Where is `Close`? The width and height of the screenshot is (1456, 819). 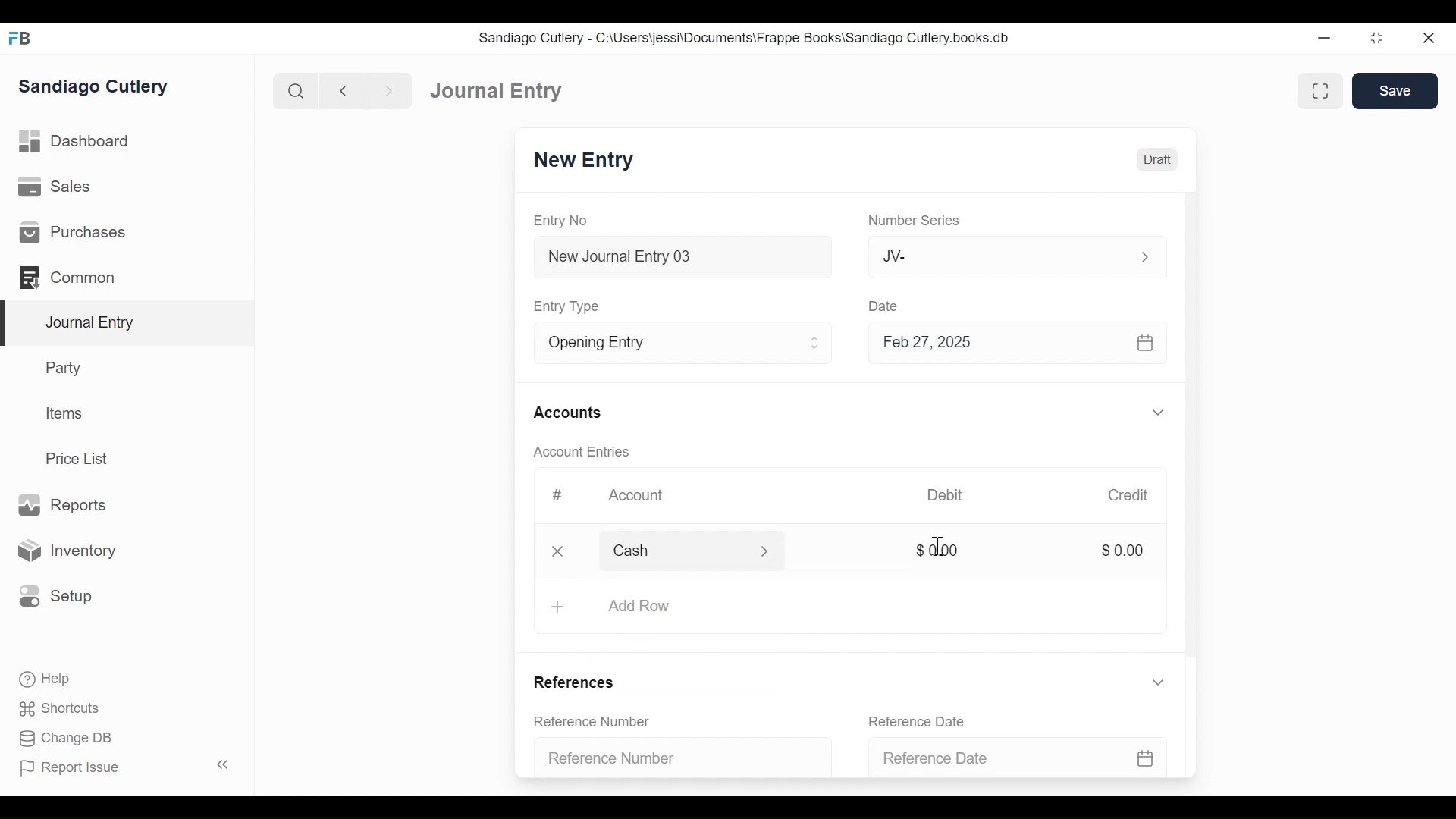
Close is located at coordinates (1427, 38).